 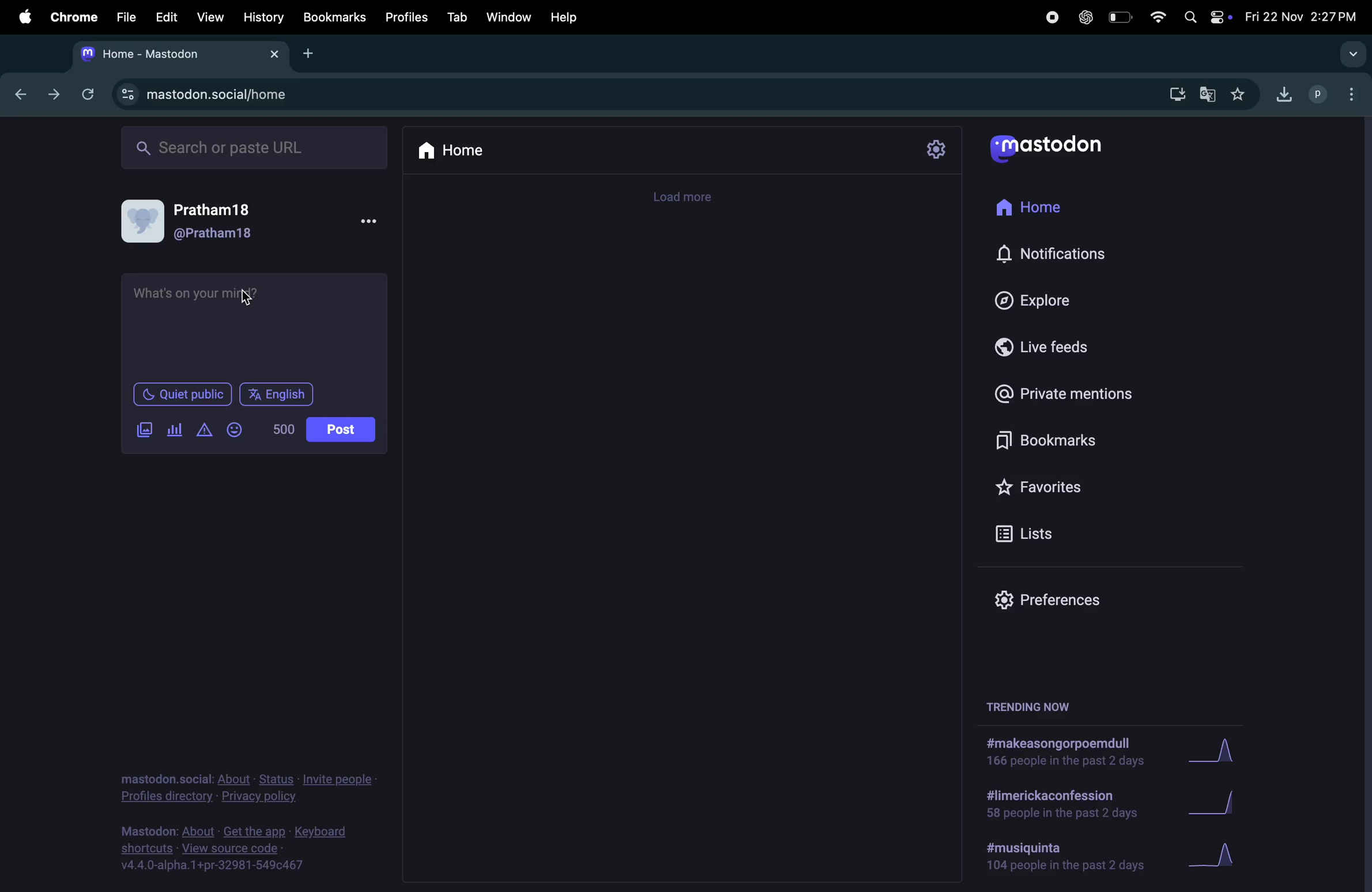 I want to click on content warning, so click(x=203, y=430).